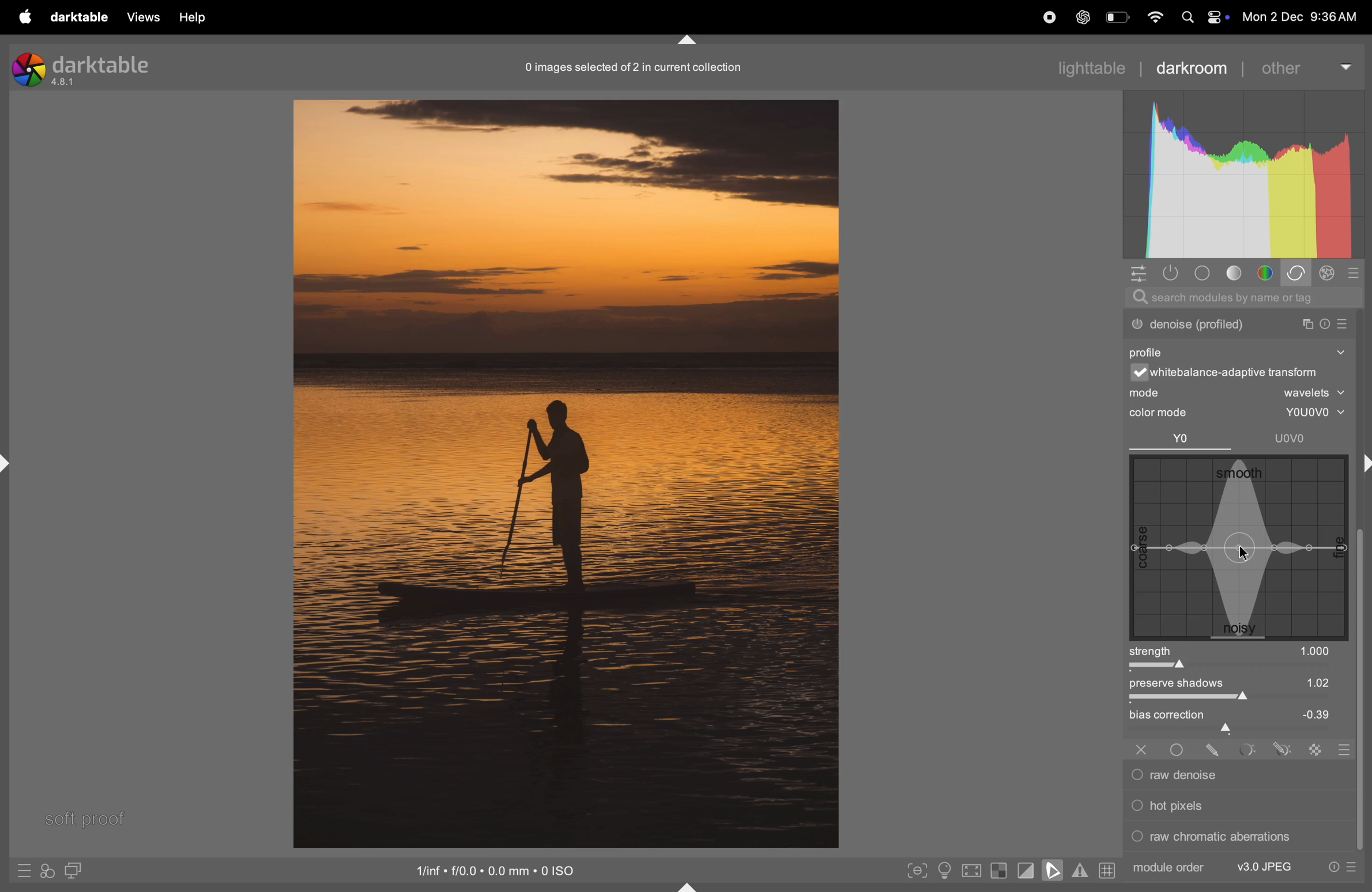  What do you see at coordinates (917, 870) in the screenshot?
I see `toggle peak focusing` at bounding box center [917, 870].